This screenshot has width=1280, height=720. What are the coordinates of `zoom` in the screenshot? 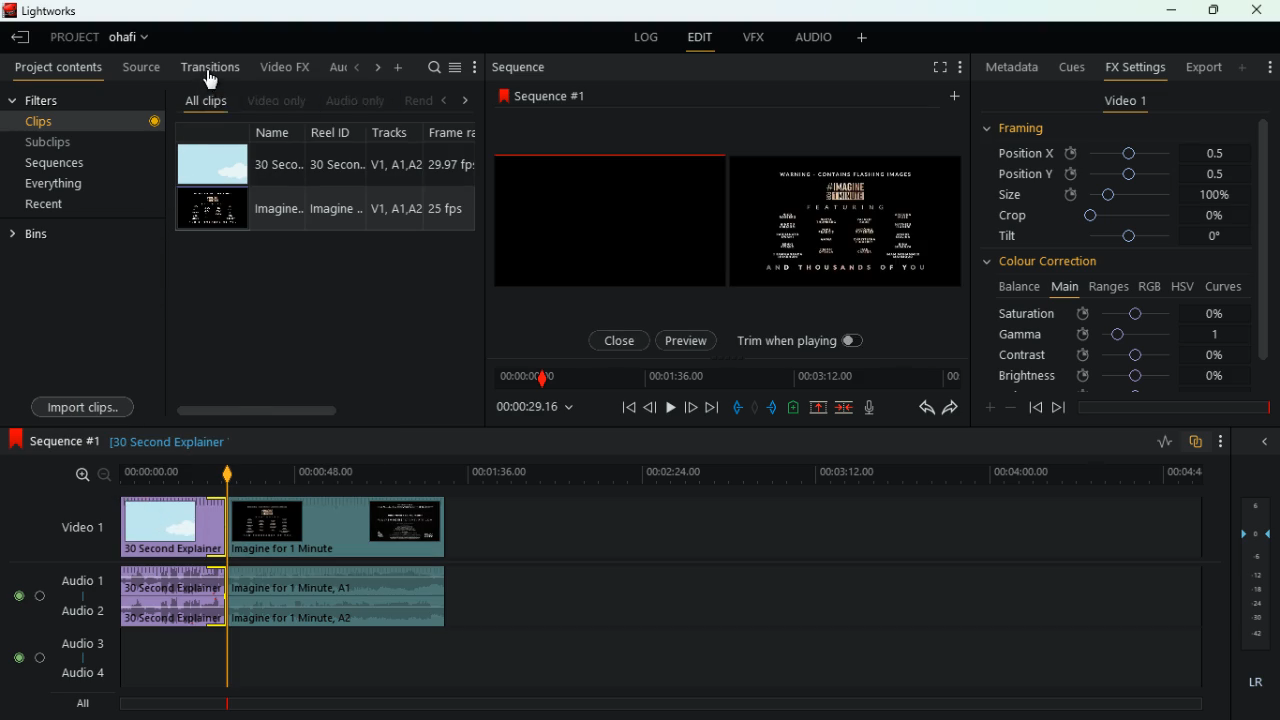 It's located at (90, 475).